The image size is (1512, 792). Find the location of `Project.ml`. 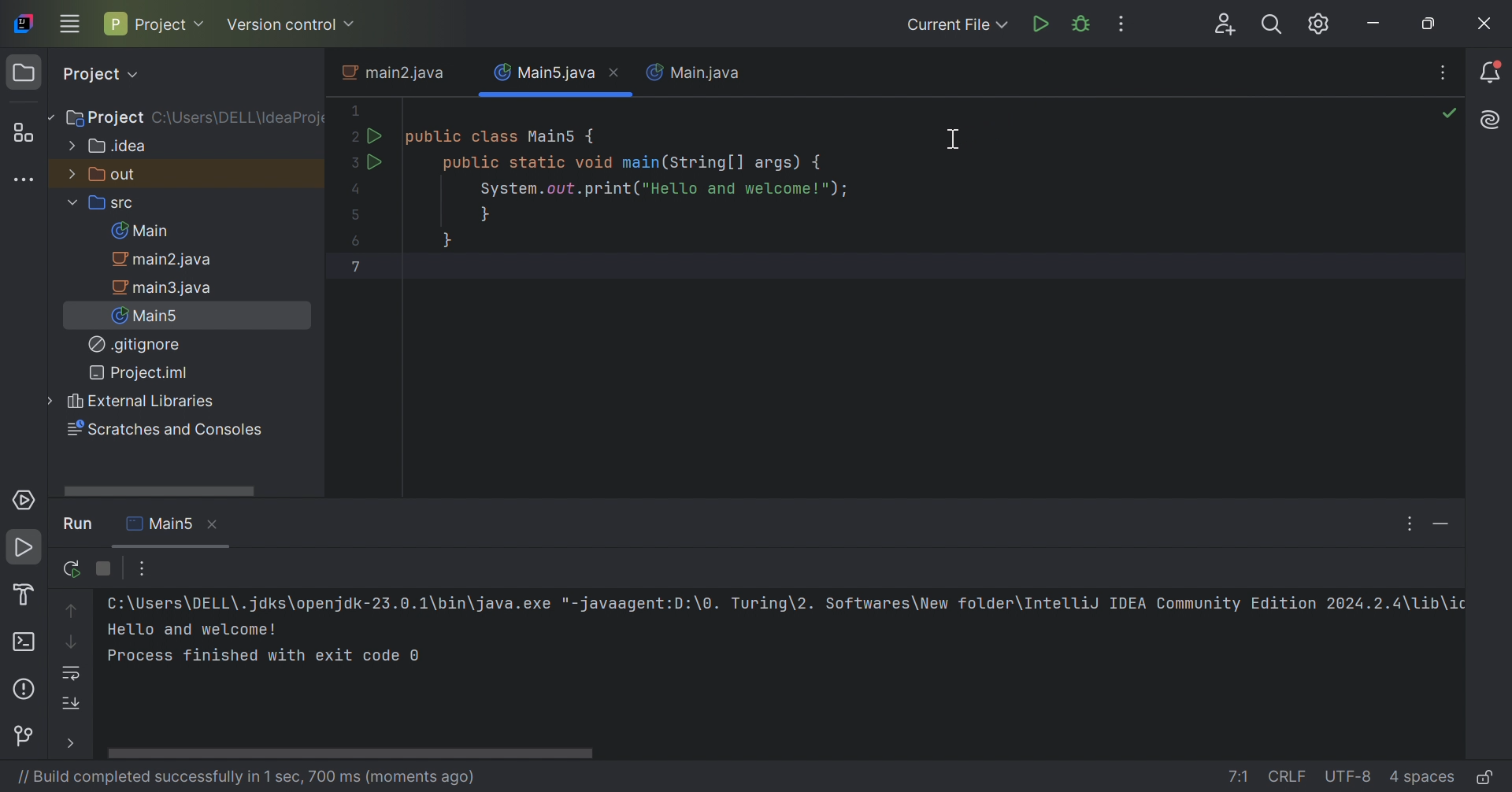

Project.ml is located at coordinates (143, 372).